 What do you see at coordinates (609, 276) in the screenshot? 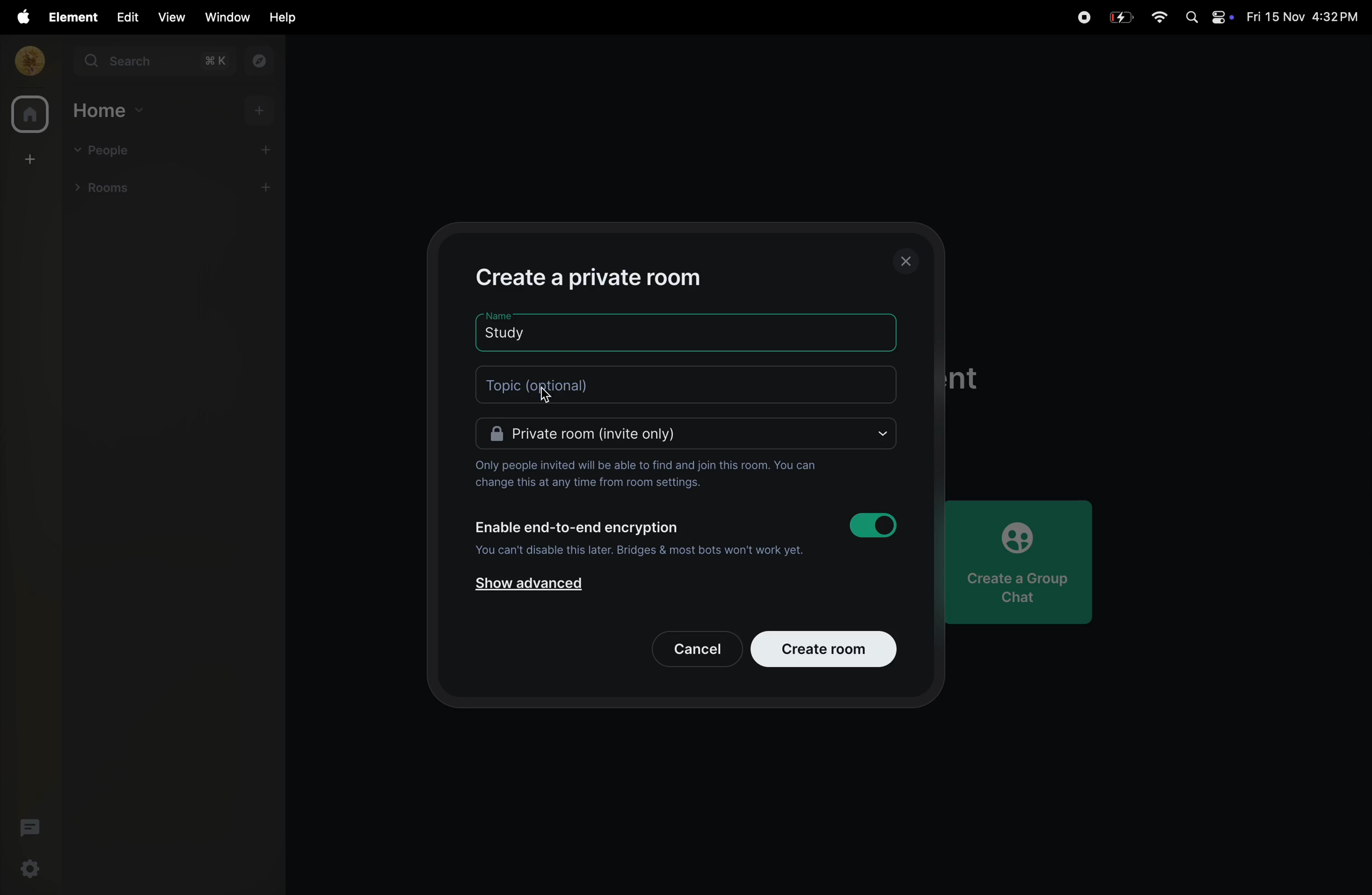
I see `create private room` at bounding box center [609, 276].